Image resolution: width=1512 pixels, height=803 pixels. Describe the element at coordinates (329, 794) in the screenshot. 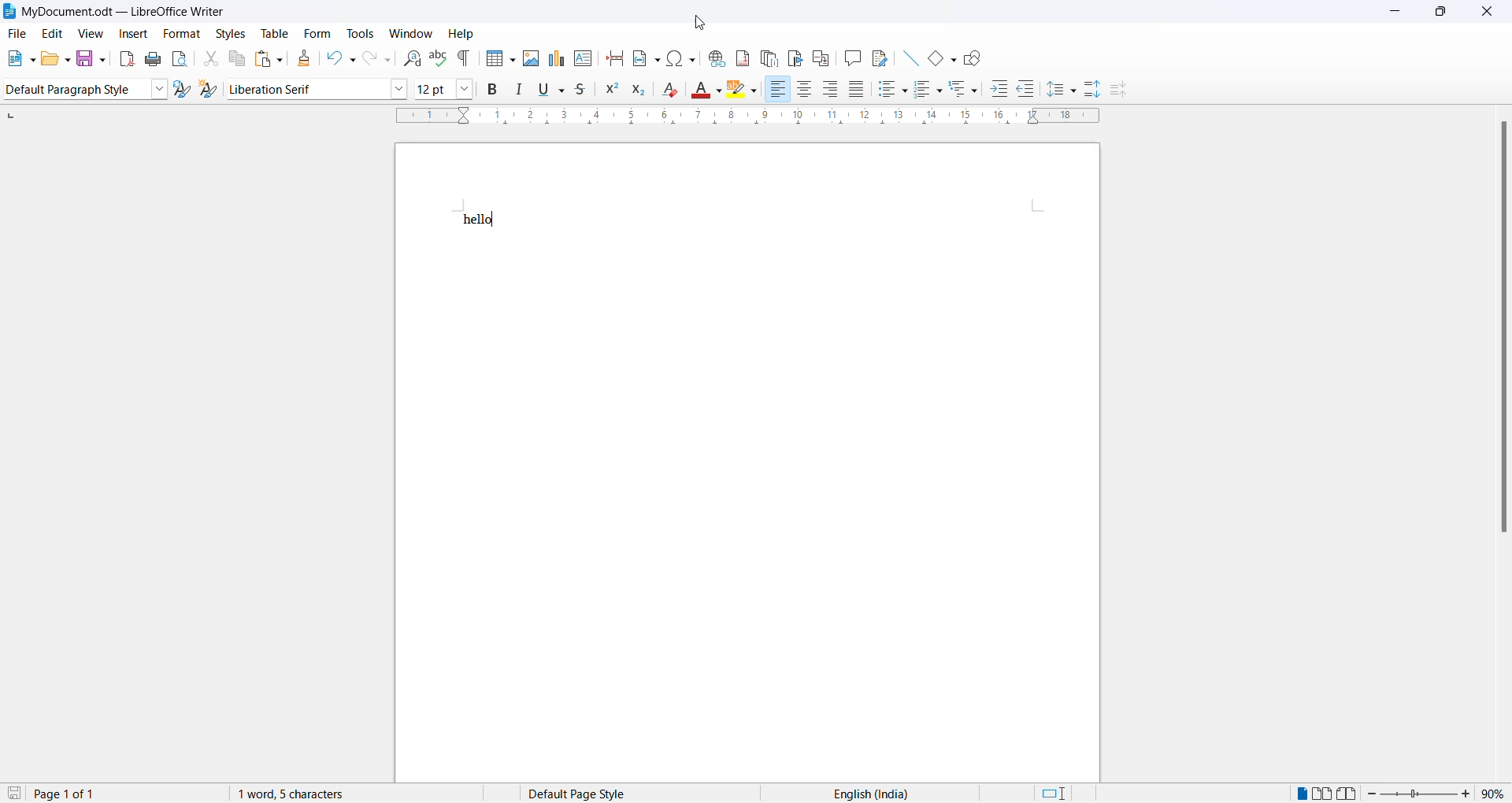

I see `1 word, 5 characters` at that location.